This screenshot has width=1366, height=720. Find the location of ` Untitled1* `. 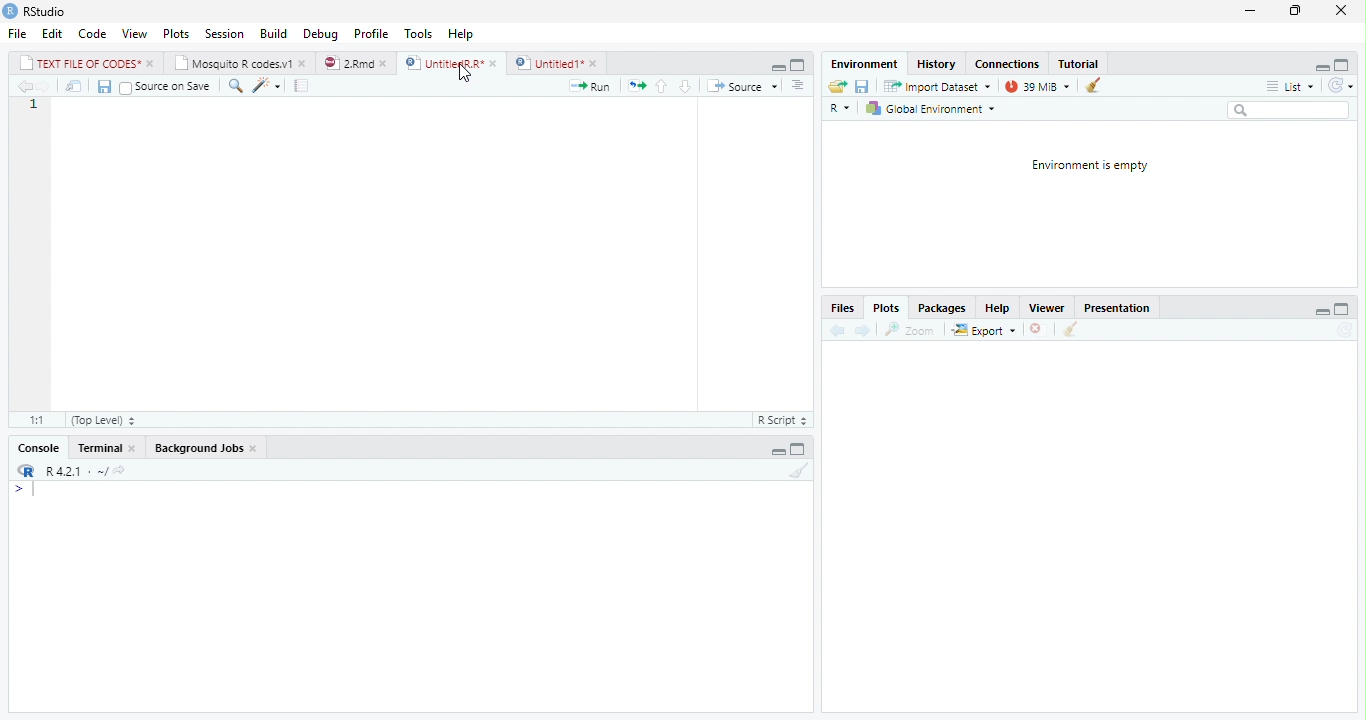

 Untitled1*  is located at coordinates (557, 62).